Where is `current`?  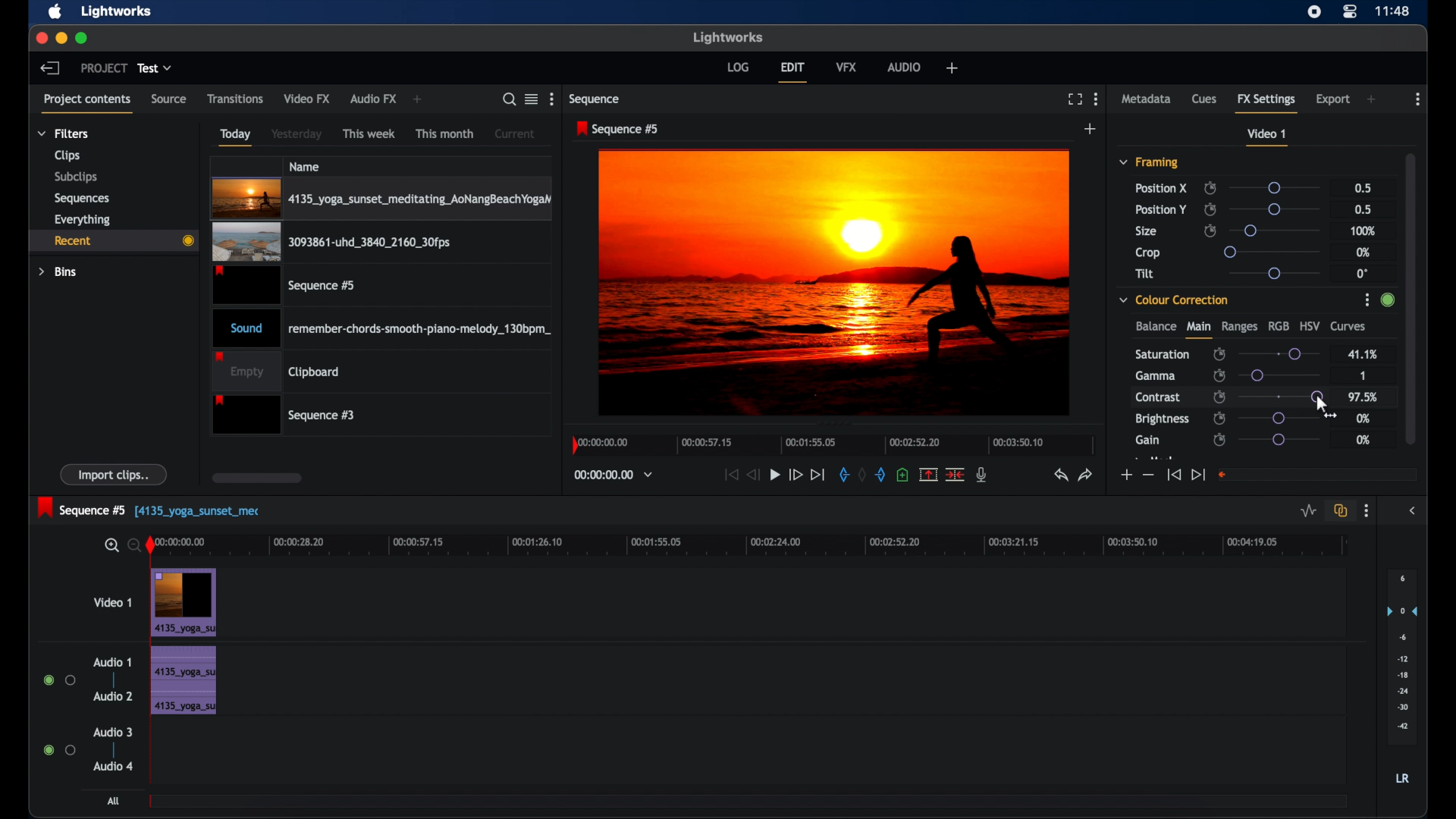
current is located at coordinates (515, 133).